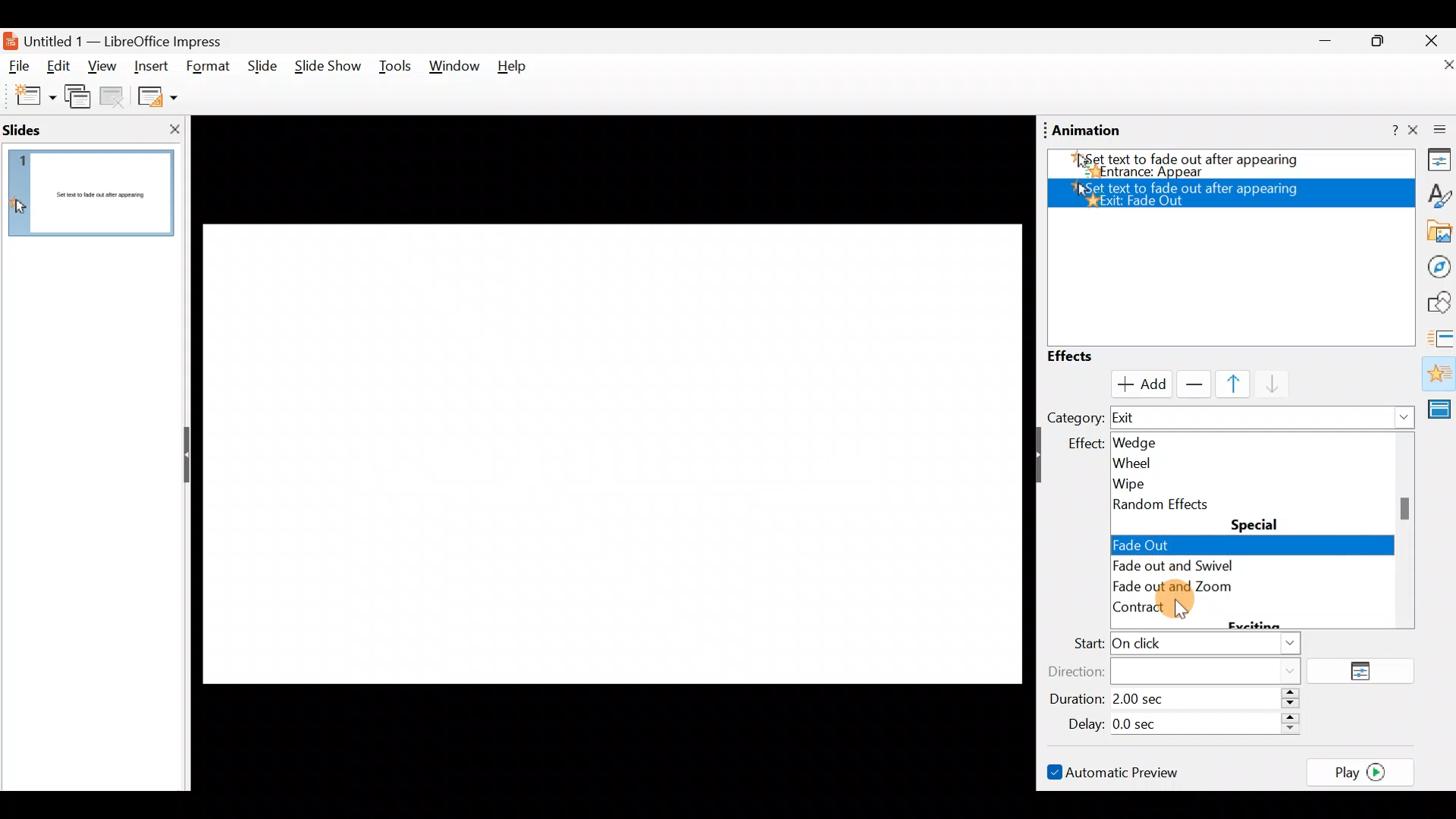 Image resolution: width=1456 pixels, height=819 pixels. Describe the element at coordinates (326, 70) in the screenshot. I see `Slide show` at that location.